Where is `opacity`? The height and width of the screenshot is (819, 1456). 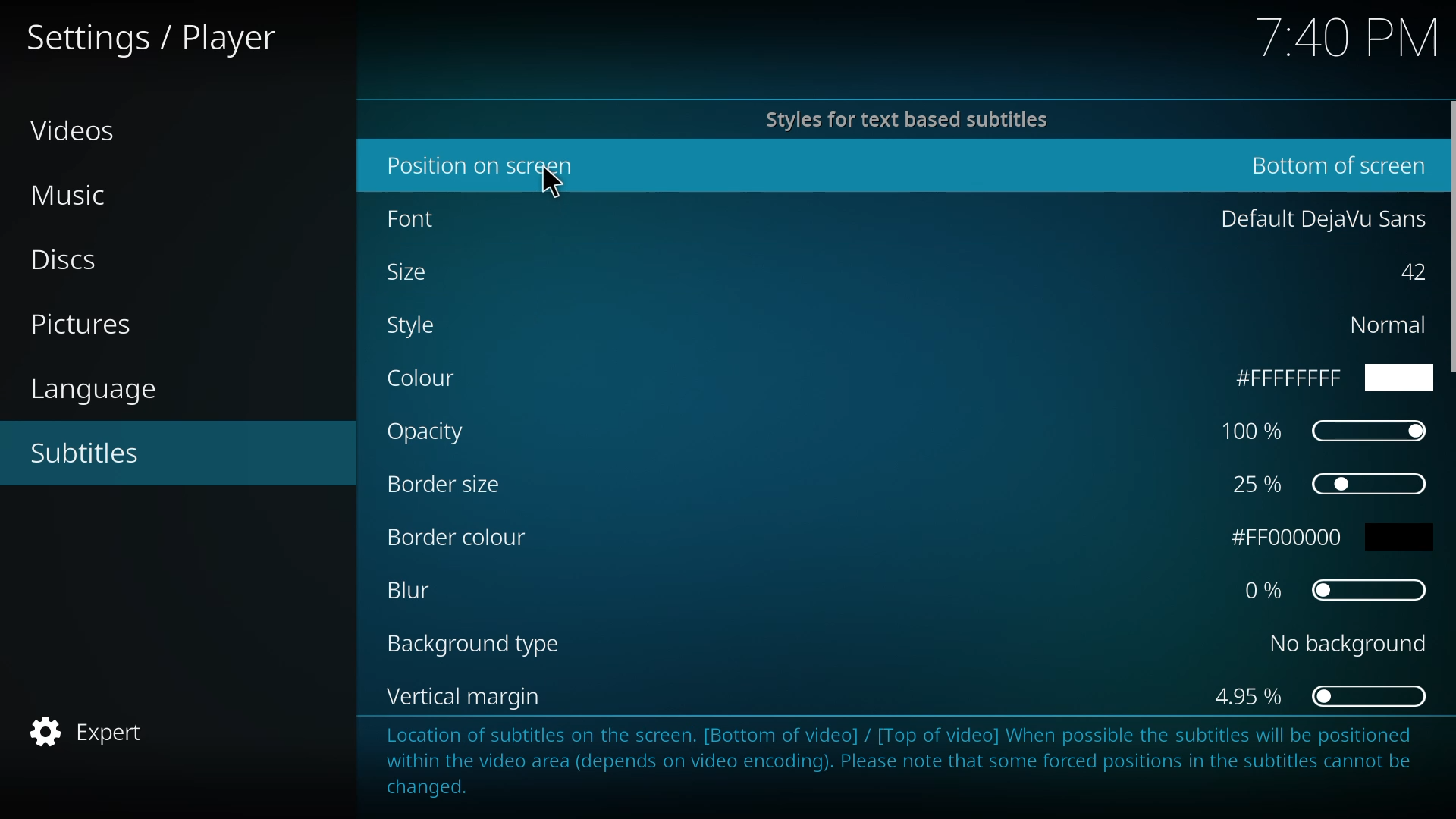 opacity is located at coordinates (428, 431).